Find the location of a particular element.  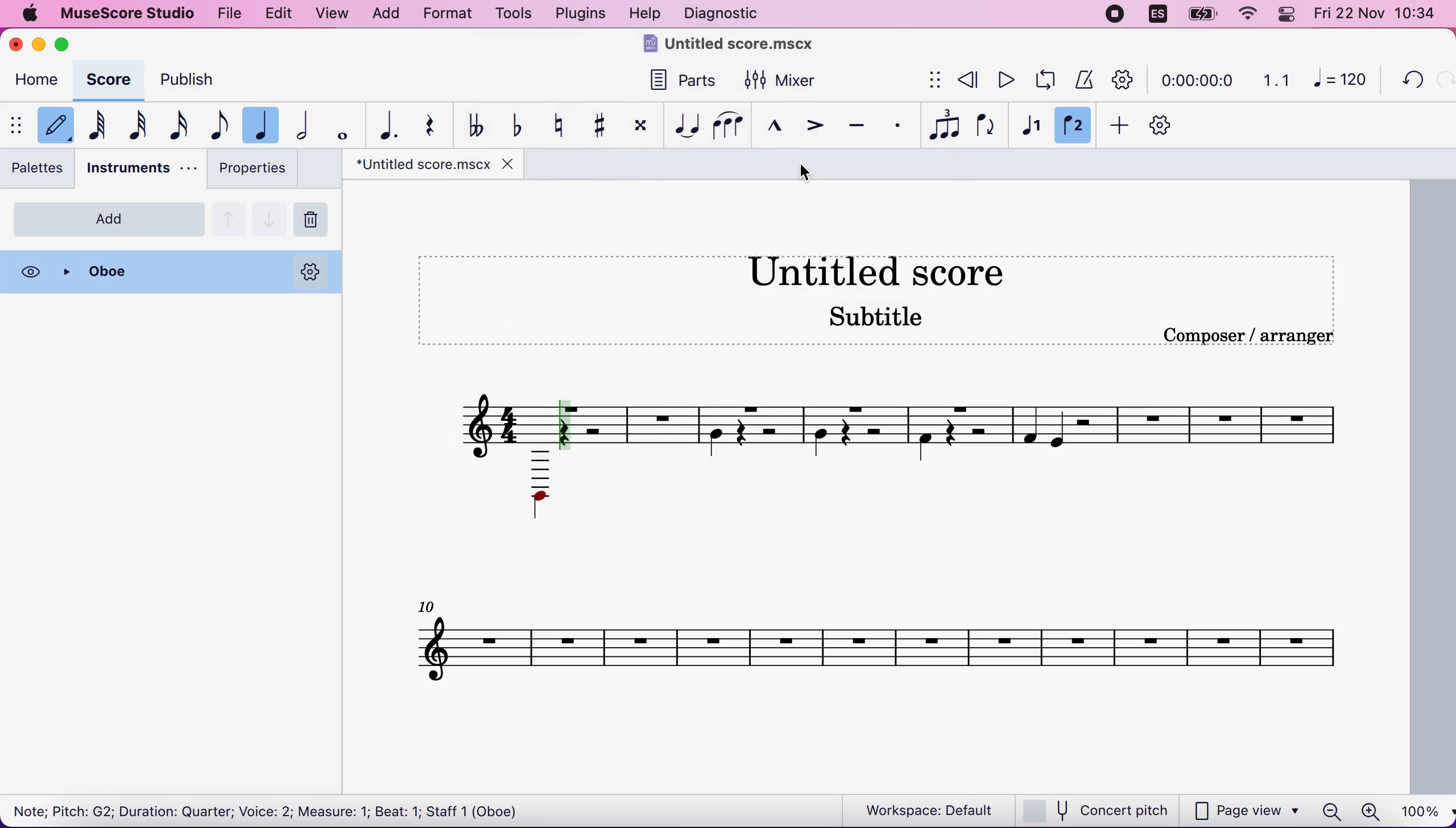

score is located at coordinates (106, 77).